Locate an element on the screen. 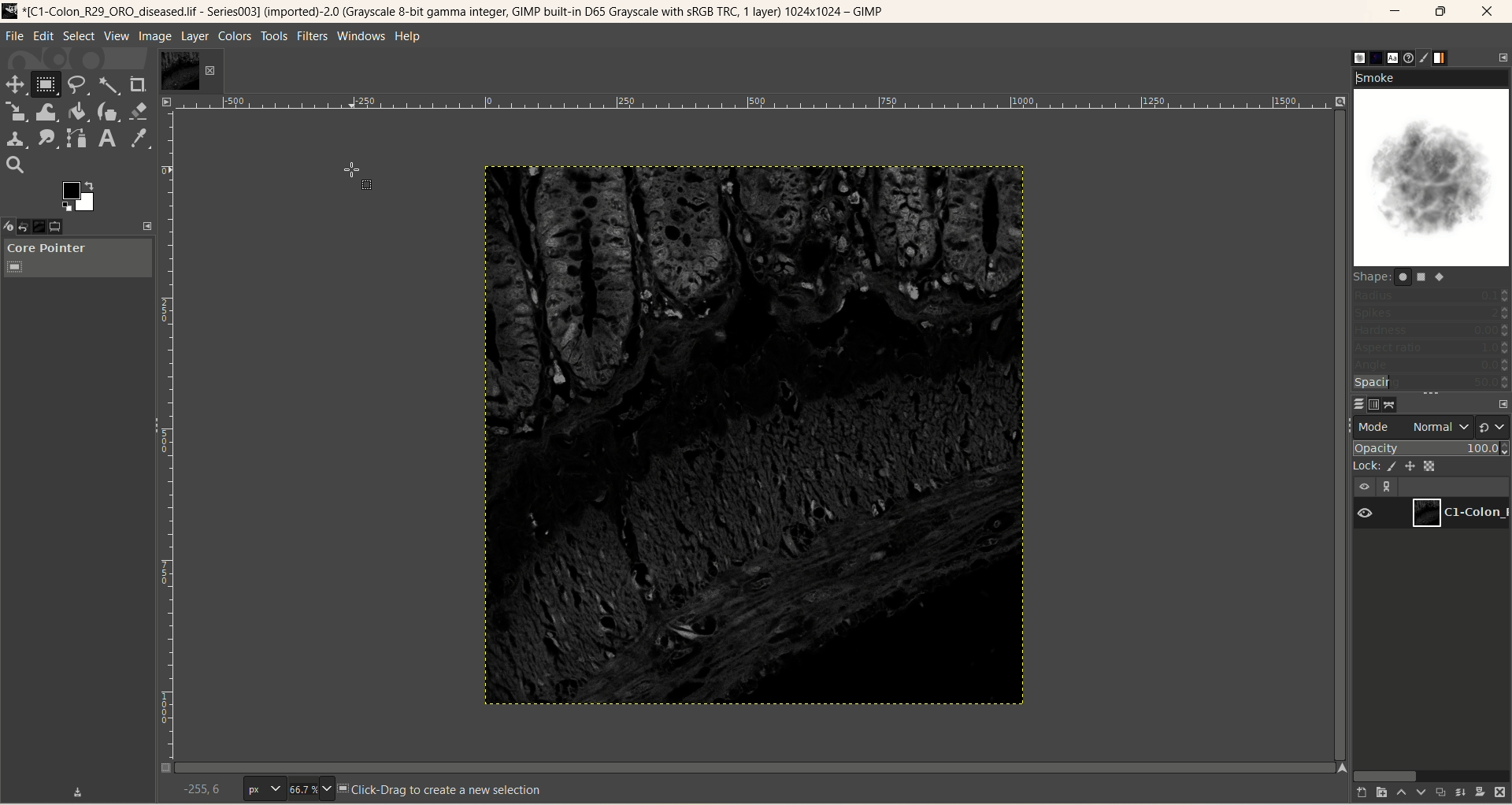  channels is located at coordinates (1377, 405).